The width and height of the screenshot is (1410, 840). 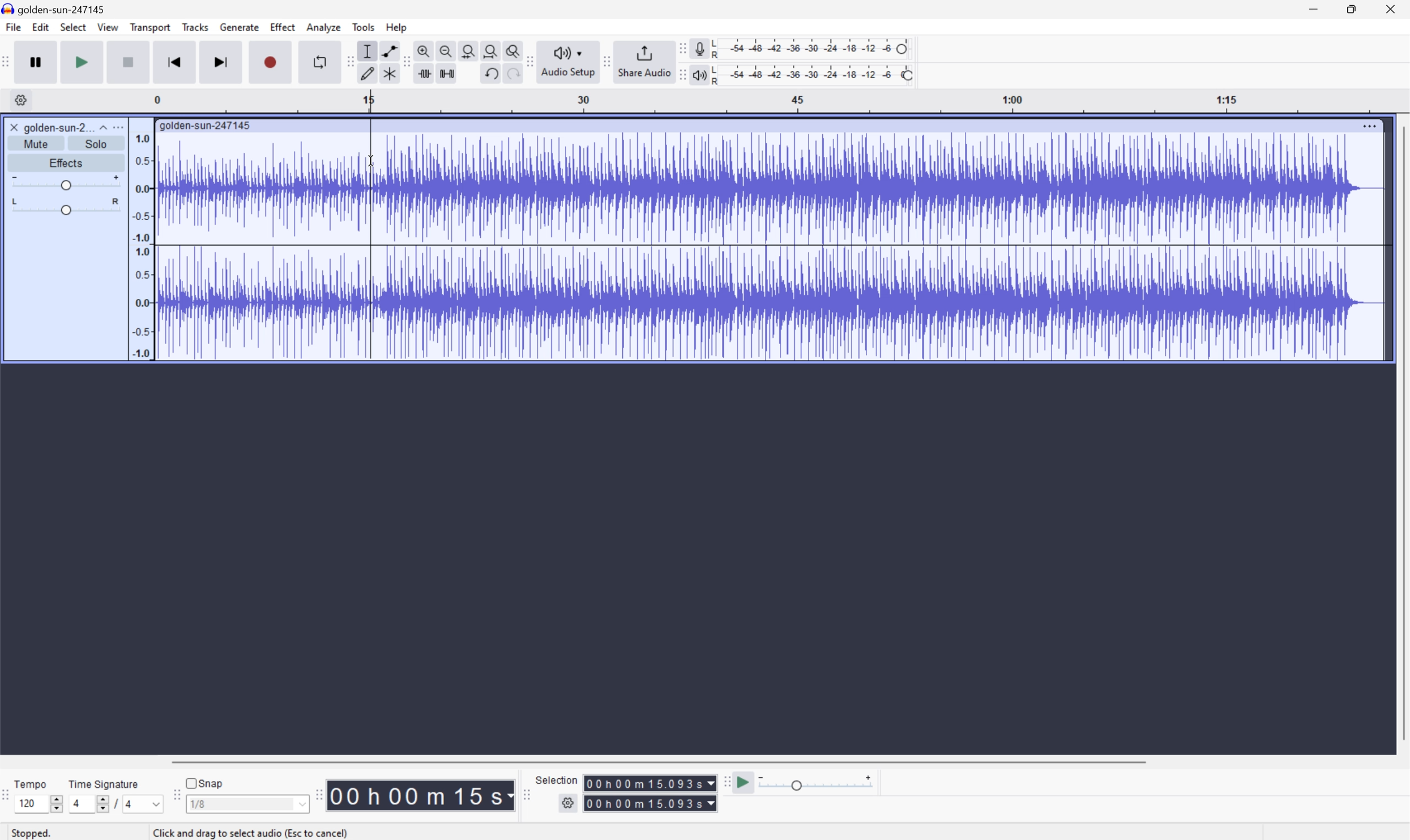 I want to click on Tempo, so click(x=30, y=783).